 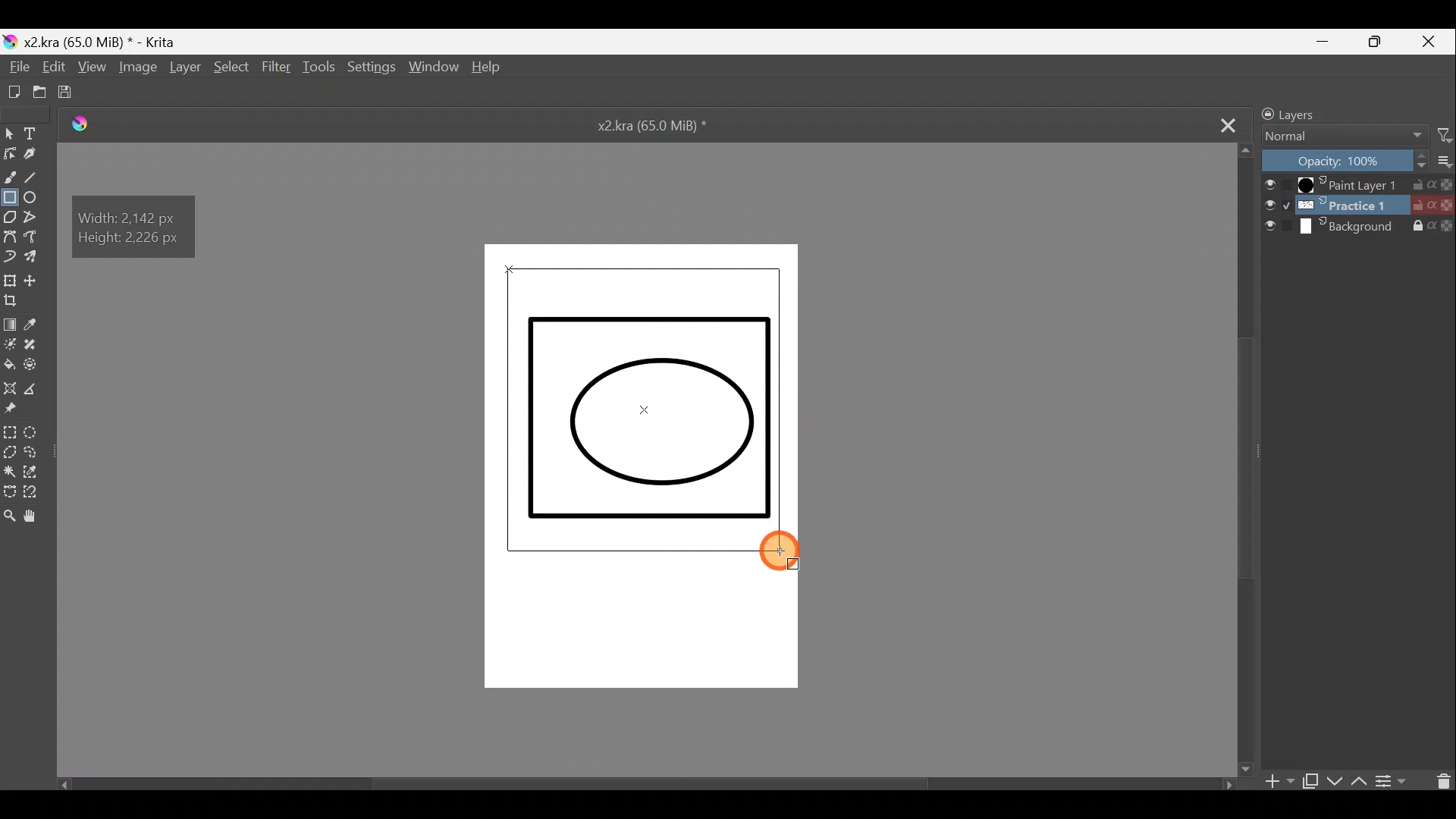 What do you see at coordinates (39, 238) in the screenshot?
I see `Magnetic curve tool` at bounding box center [39, 238].